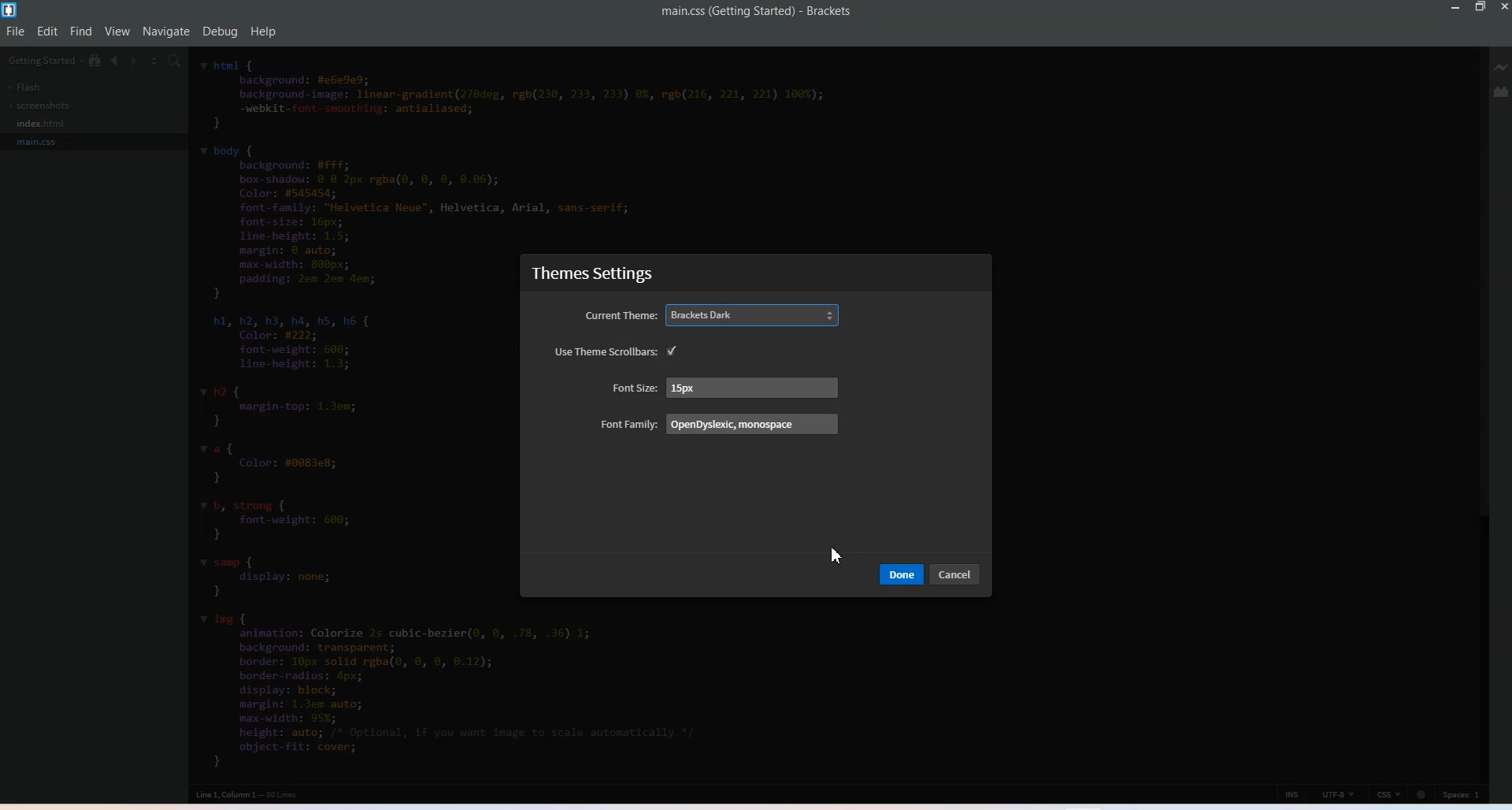 The height and width of the screenshot is (810, 1512). What do you see at coordinates (1503, 91) in the screenshot?
I see `Extension Manager` at bounding box center [1503, 91].